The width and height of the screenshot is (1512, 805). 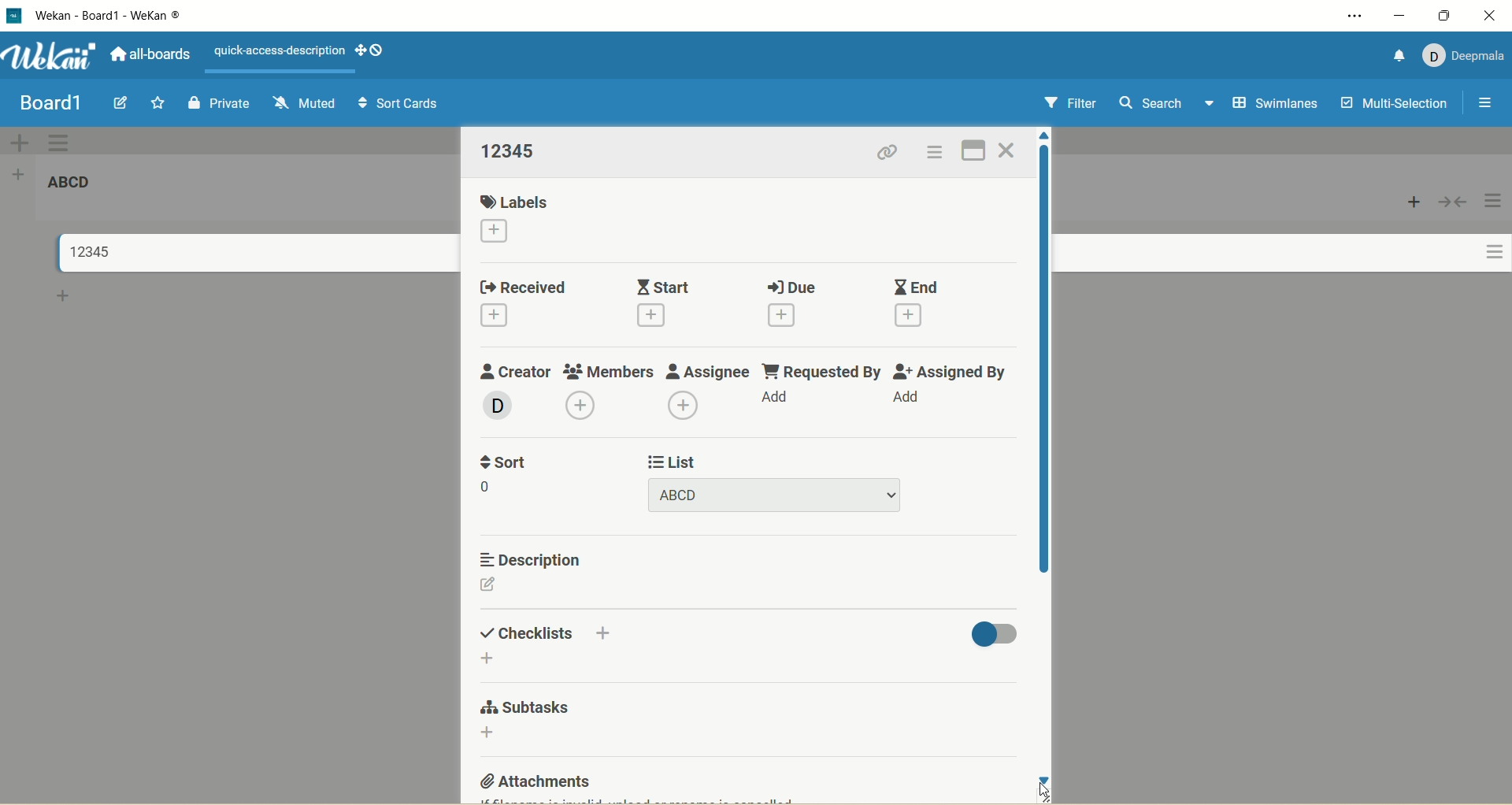 What do you see at coordinates (1490, 15) in the screenshot?
I see `close` at bounding box center [1490, 15].